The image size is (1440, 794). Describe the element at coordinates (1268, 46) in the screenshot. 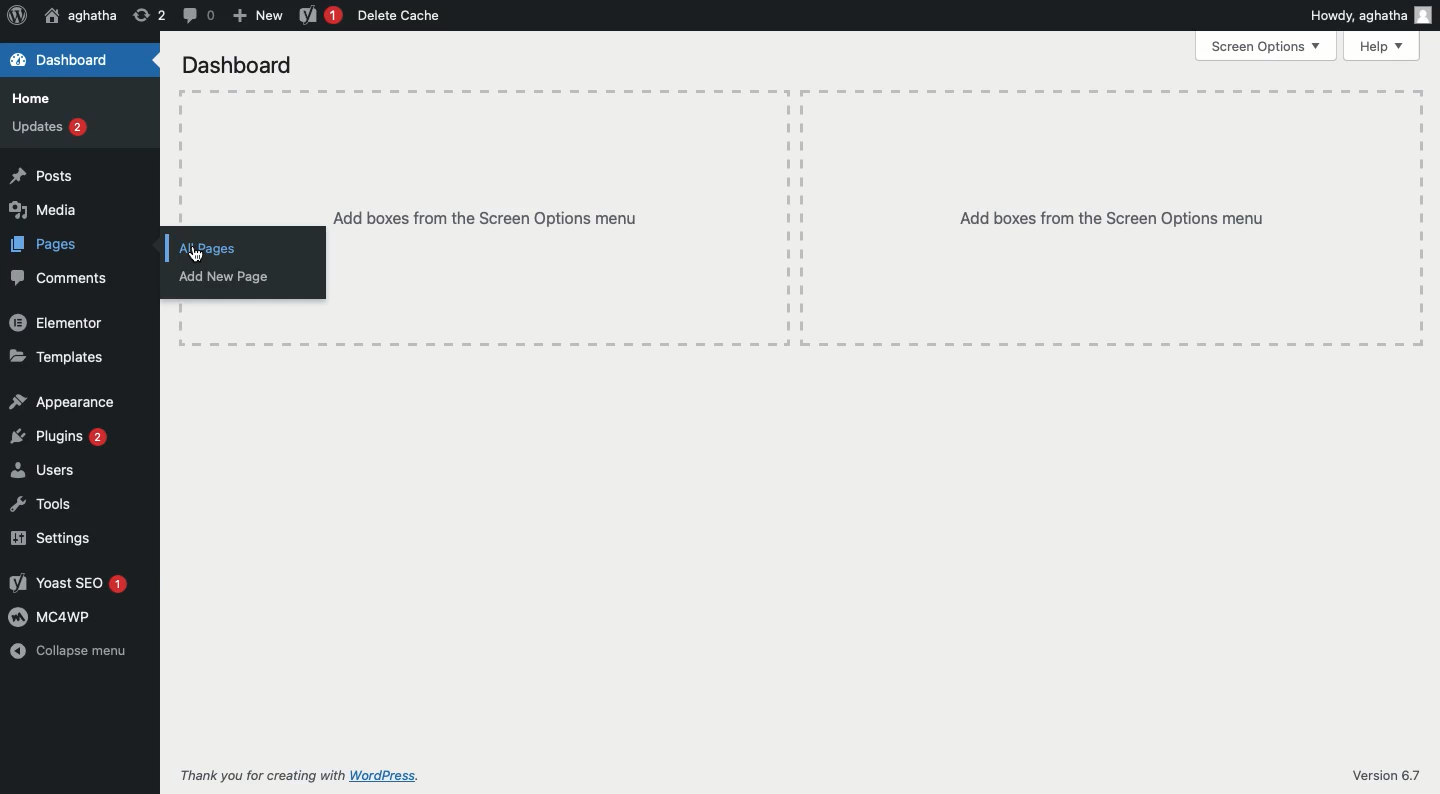

I see `Screen options` at that location.